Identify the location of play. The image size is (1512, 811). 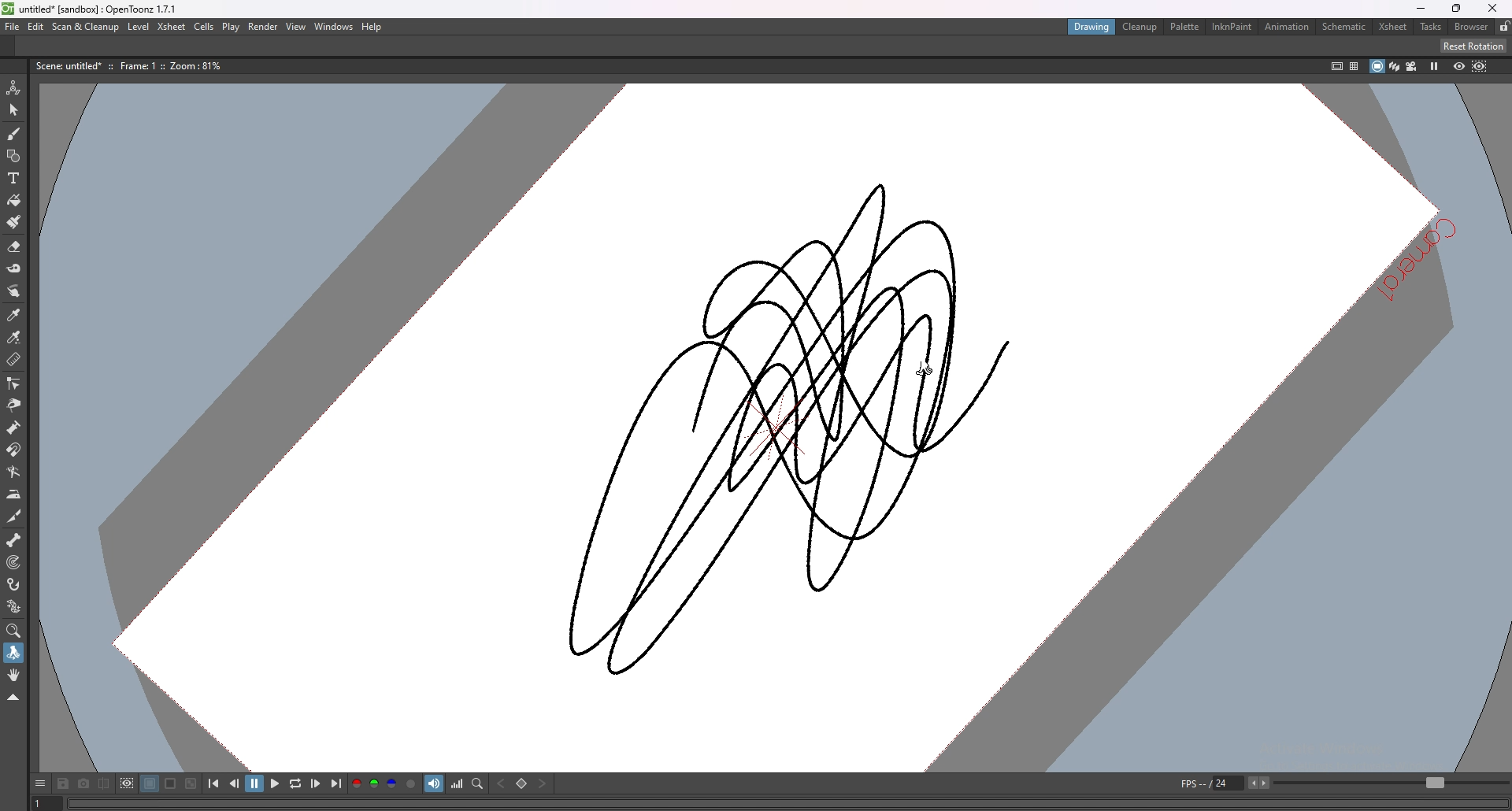
(275, 783).